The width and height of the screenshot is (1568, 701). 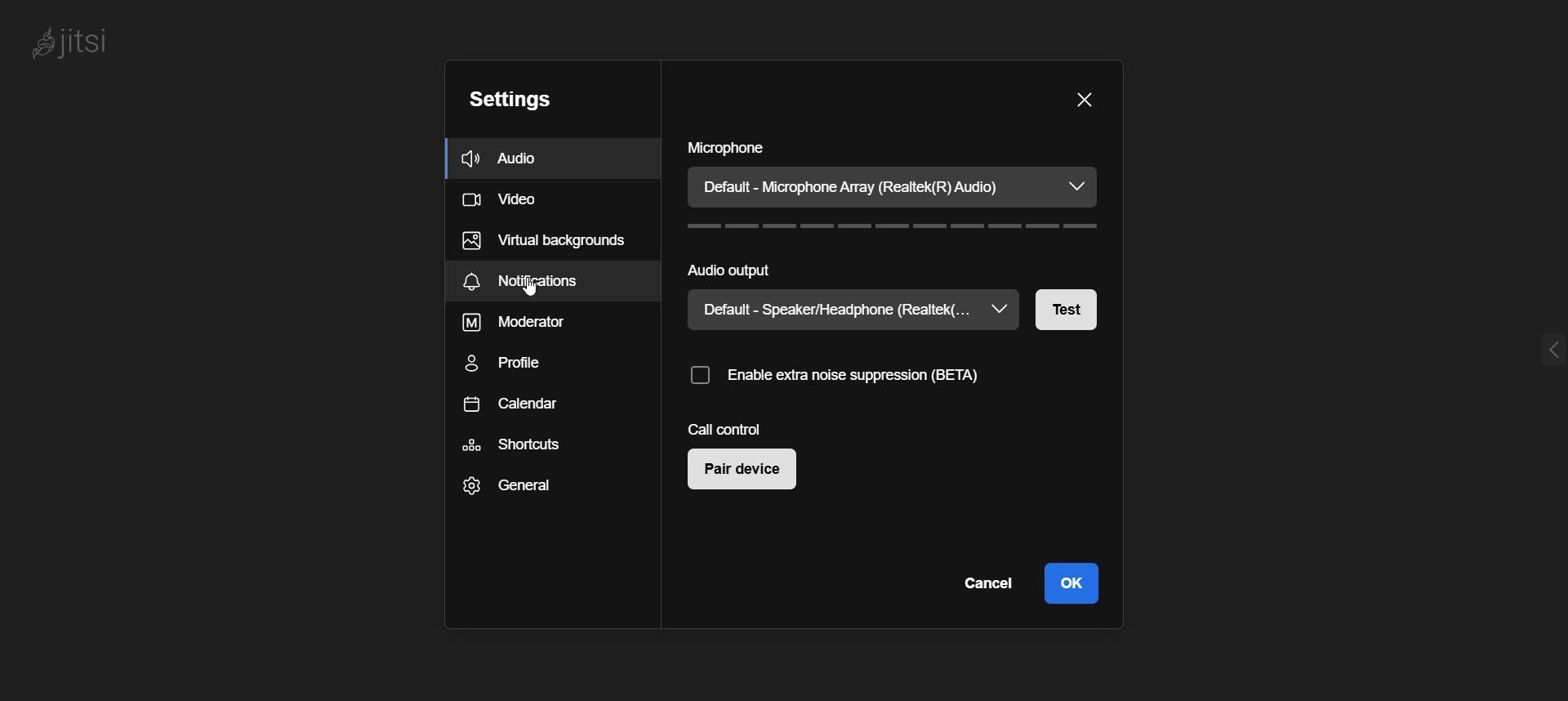 What do you see at coordinates (834, 311) in the screenshot?
I see `Default - Speaker/Headphone (Realtek(...` at bounding box center [834, 311].